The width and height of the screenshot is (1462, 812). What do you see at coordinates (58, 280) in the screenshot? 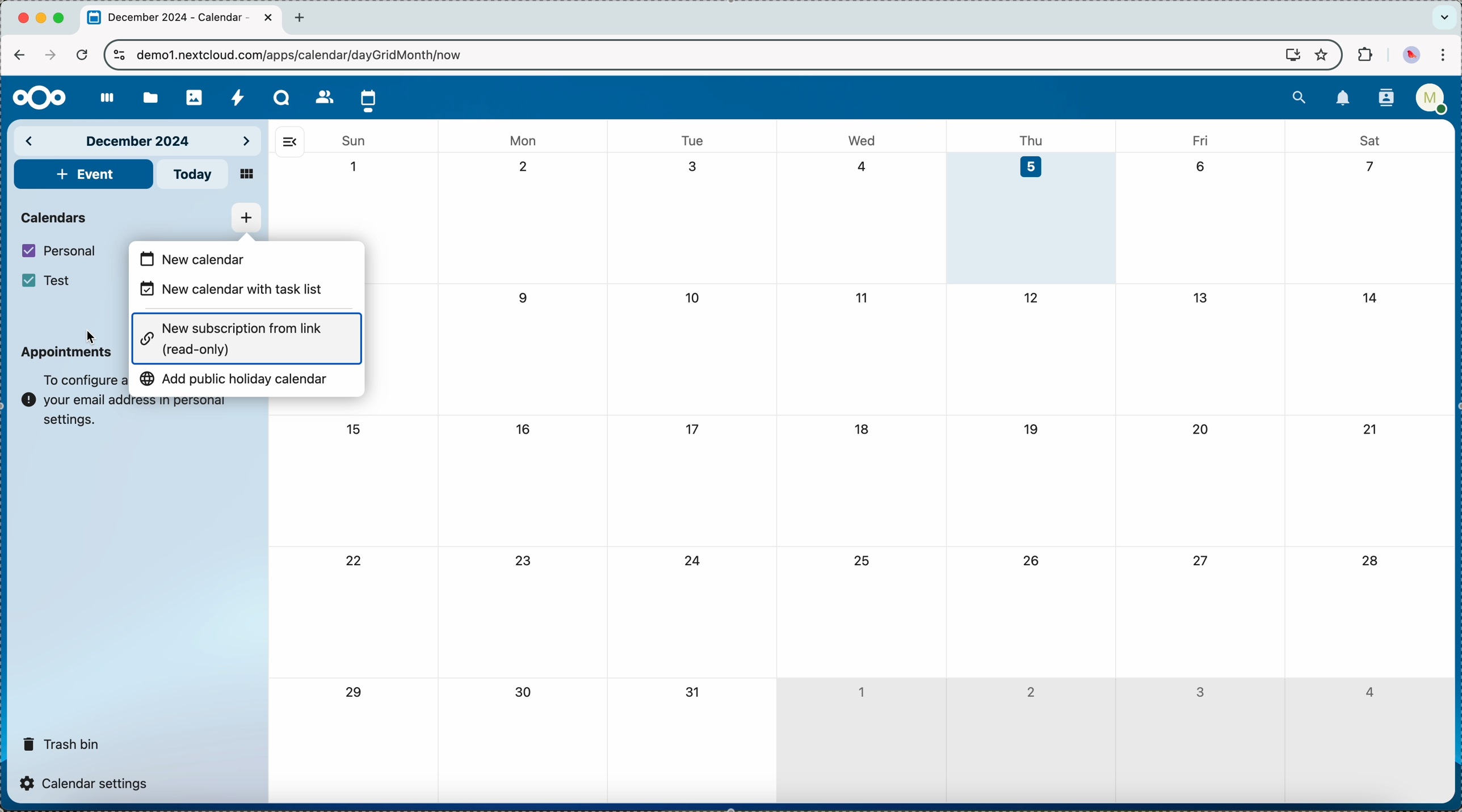
I see `Test calendar` at bounding box center [58, 280].